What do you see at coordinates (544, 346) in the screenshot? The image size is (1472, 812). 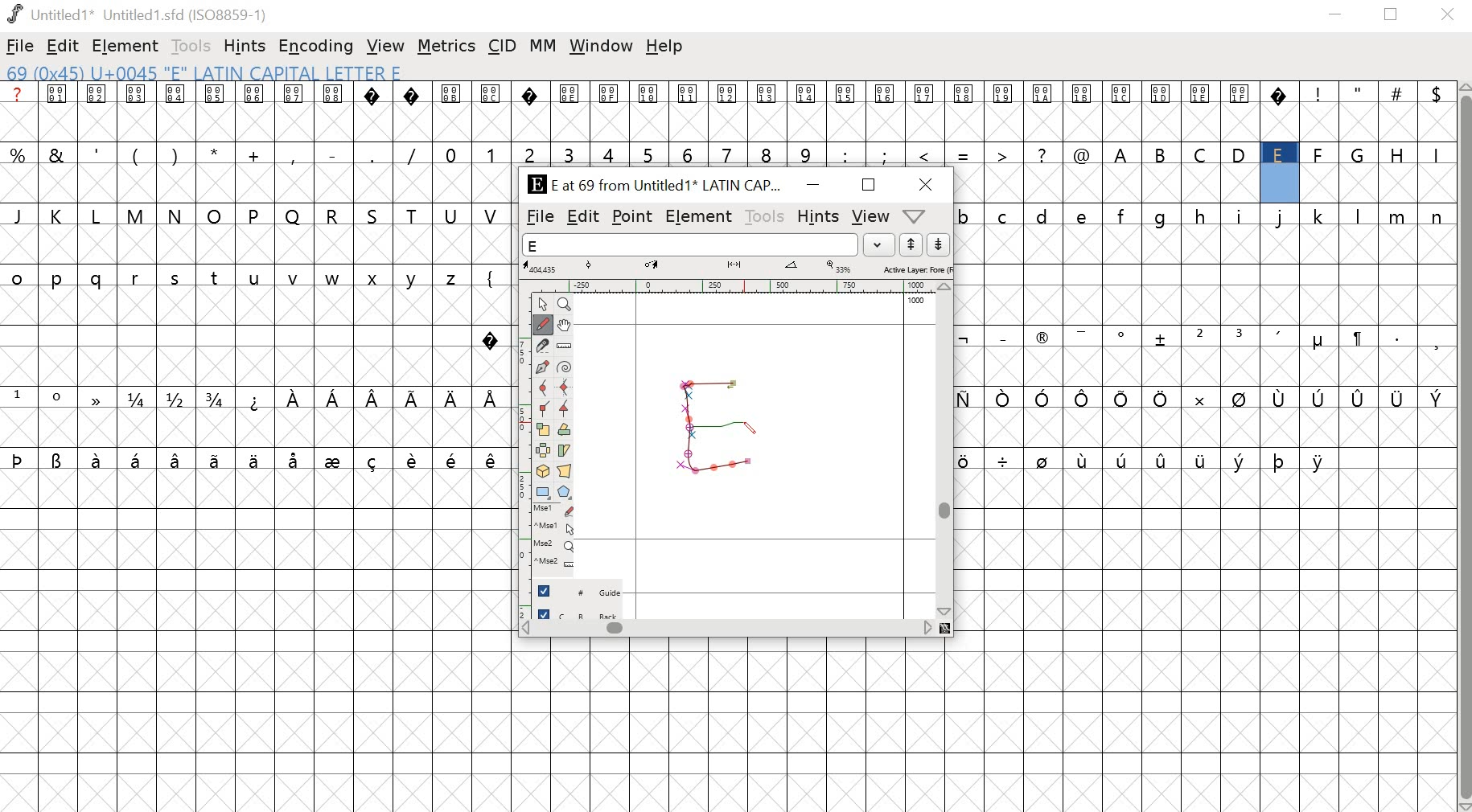 I see `Knife` at bounding box center [544, 346].